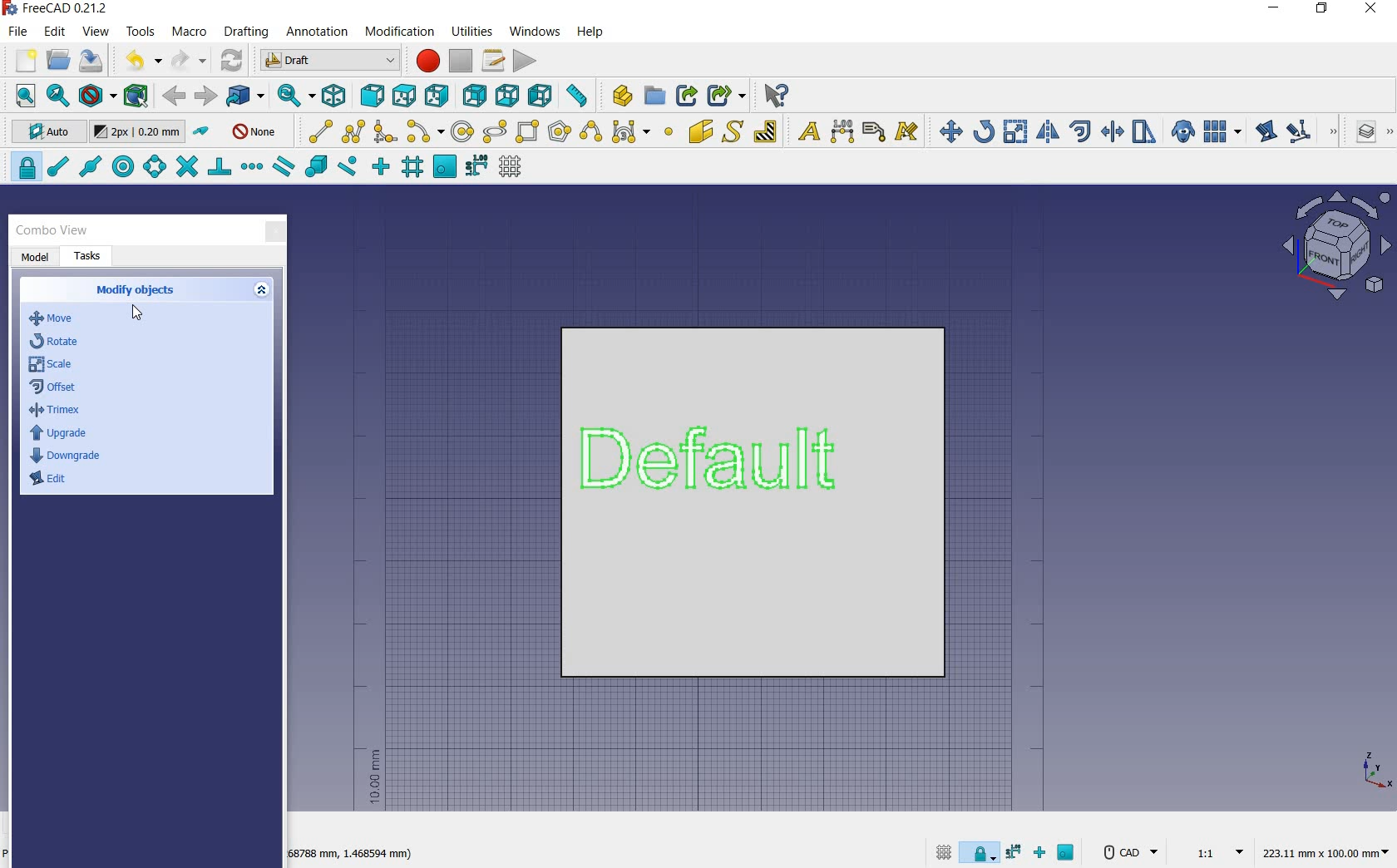  Describe the element at coordinates (544, 96) in the screenshot. I see `left` at that location.